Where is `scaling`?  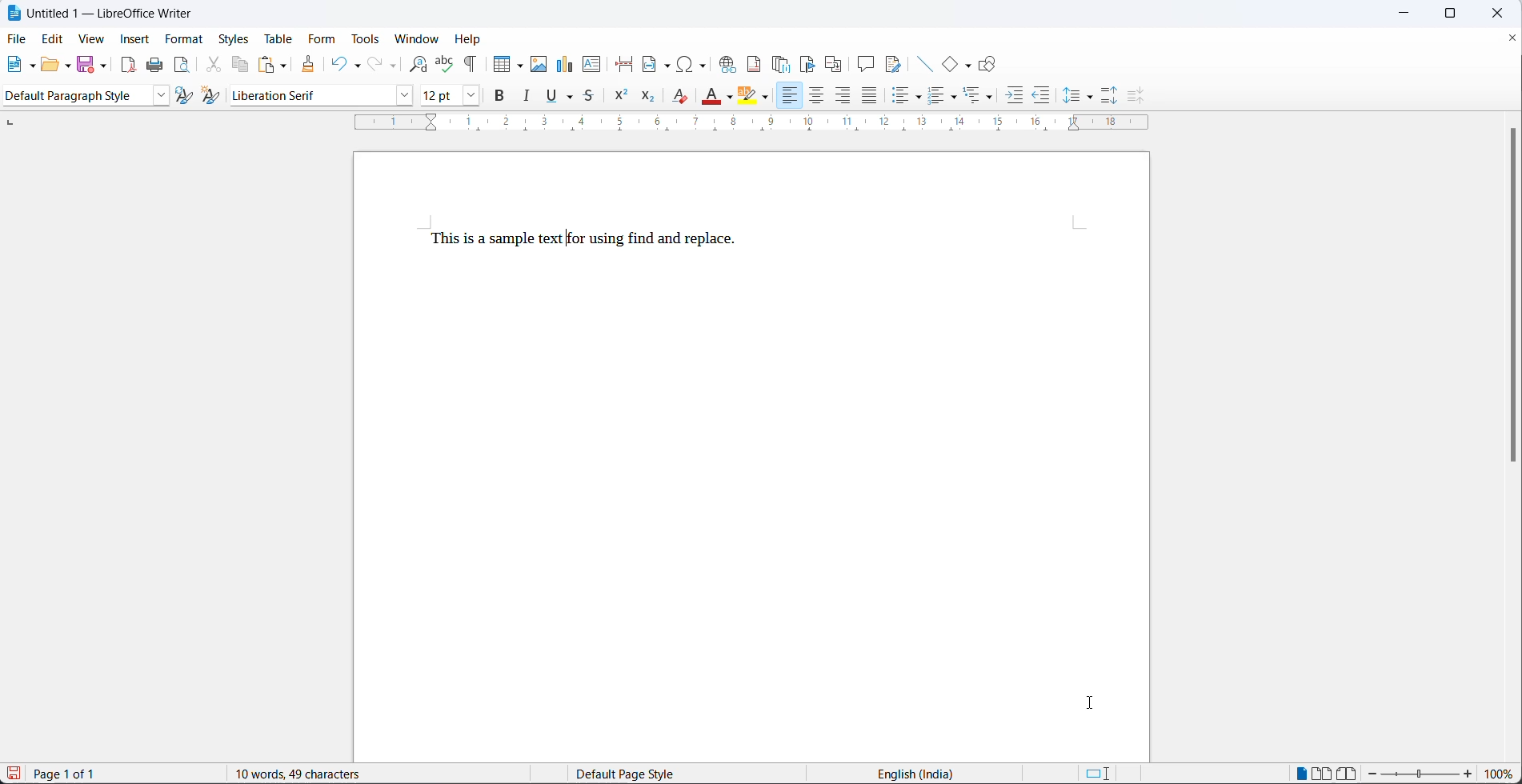 scaling is located at coordinates (763, 124).